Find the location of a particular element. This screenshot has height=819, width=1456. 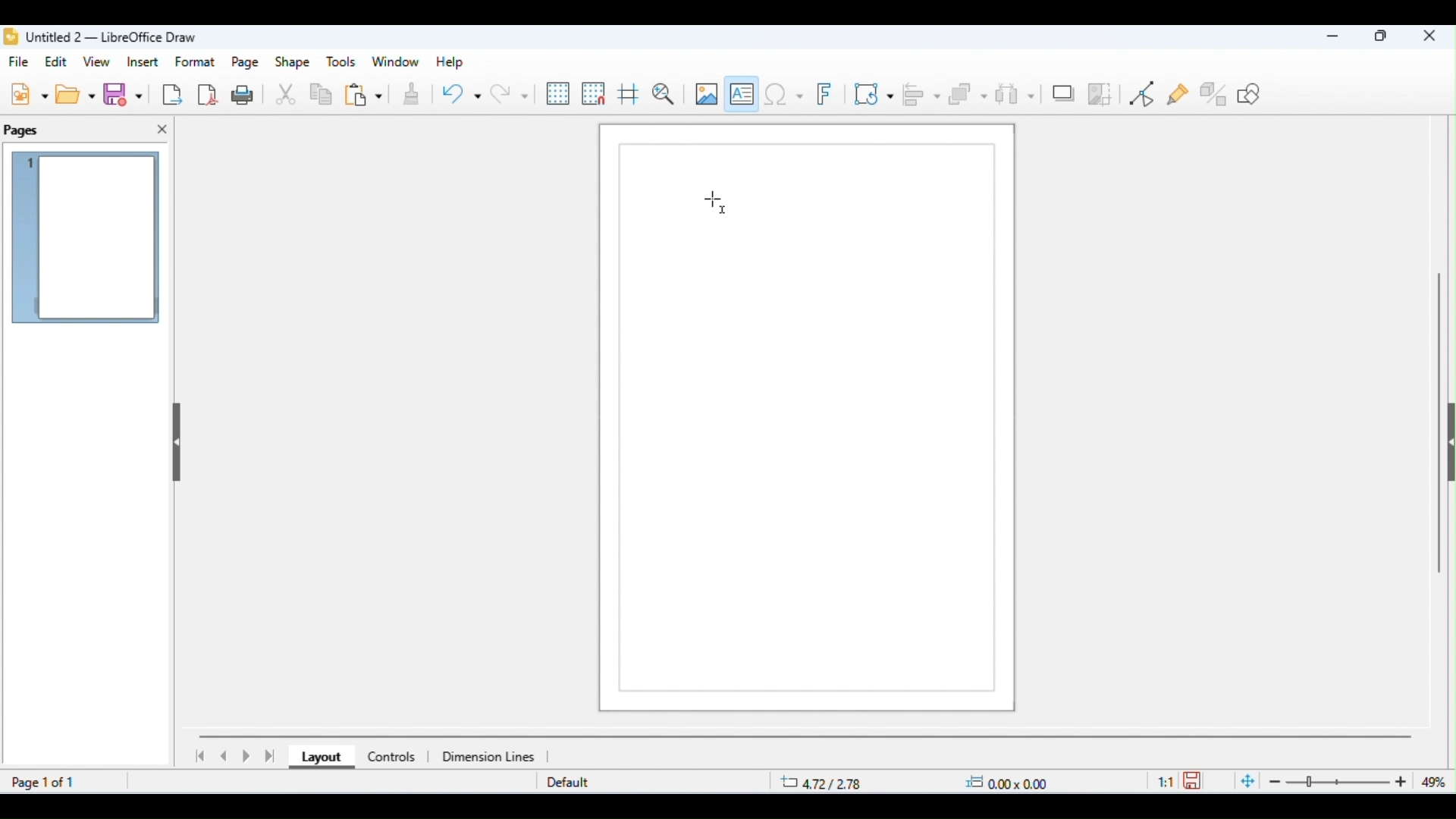

select at least three objects to distribute is located at coordinates (1015, 93).